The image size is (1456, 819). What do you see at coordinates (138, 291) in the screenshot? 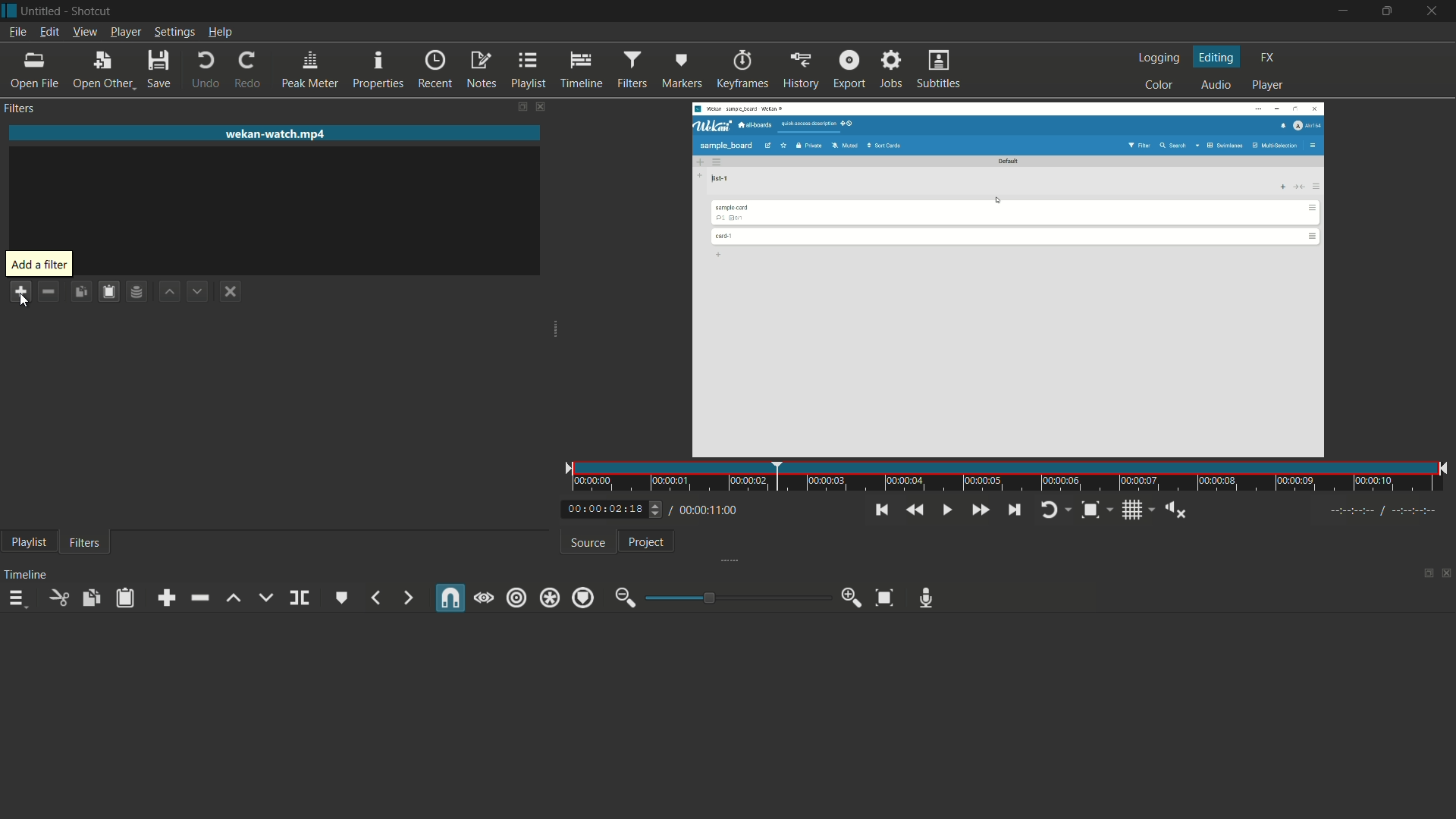
I see `save filter set` at bounding box center [138, 291].